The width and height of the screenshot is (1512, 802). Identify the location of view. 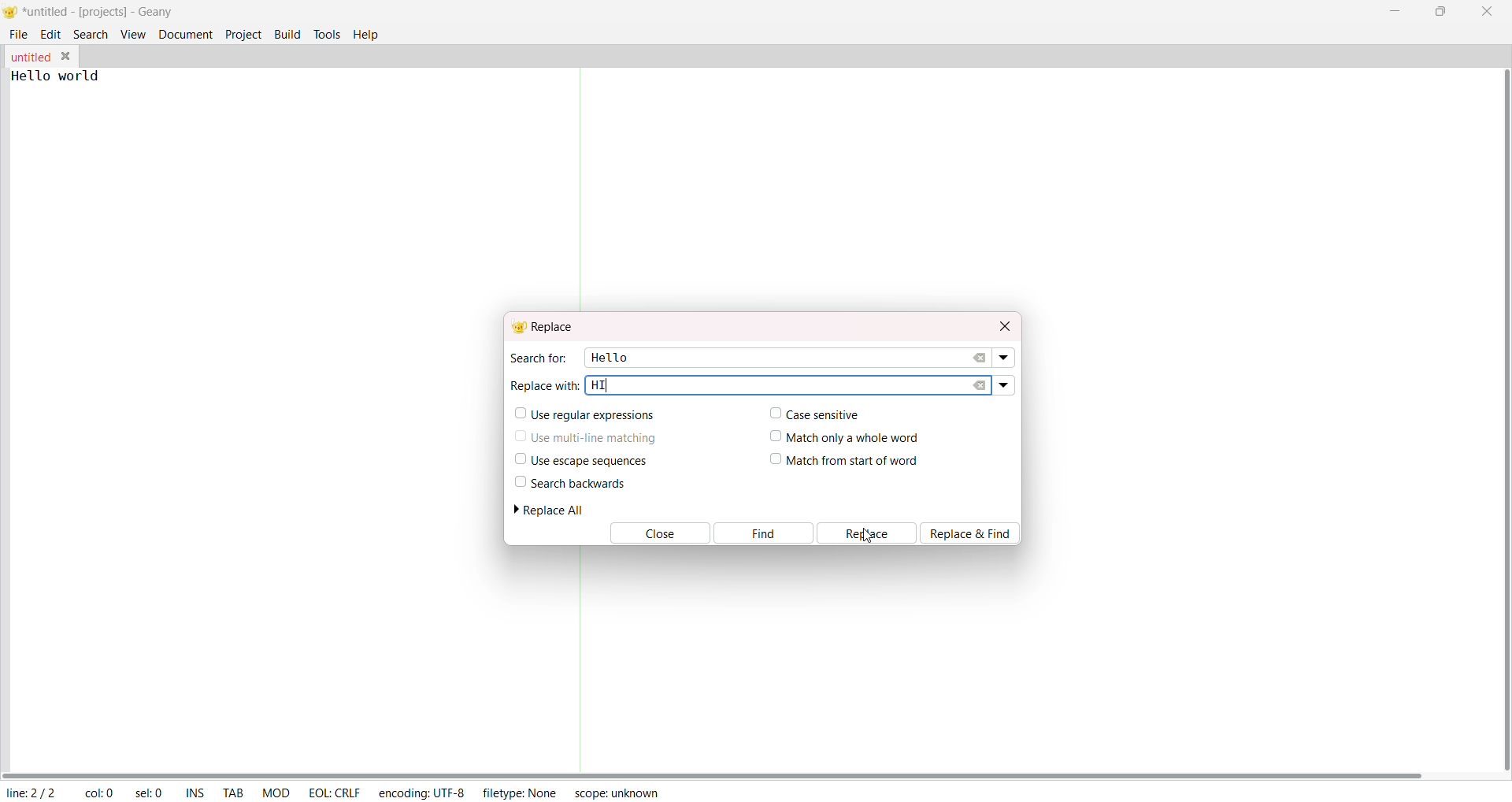
(132, 34).